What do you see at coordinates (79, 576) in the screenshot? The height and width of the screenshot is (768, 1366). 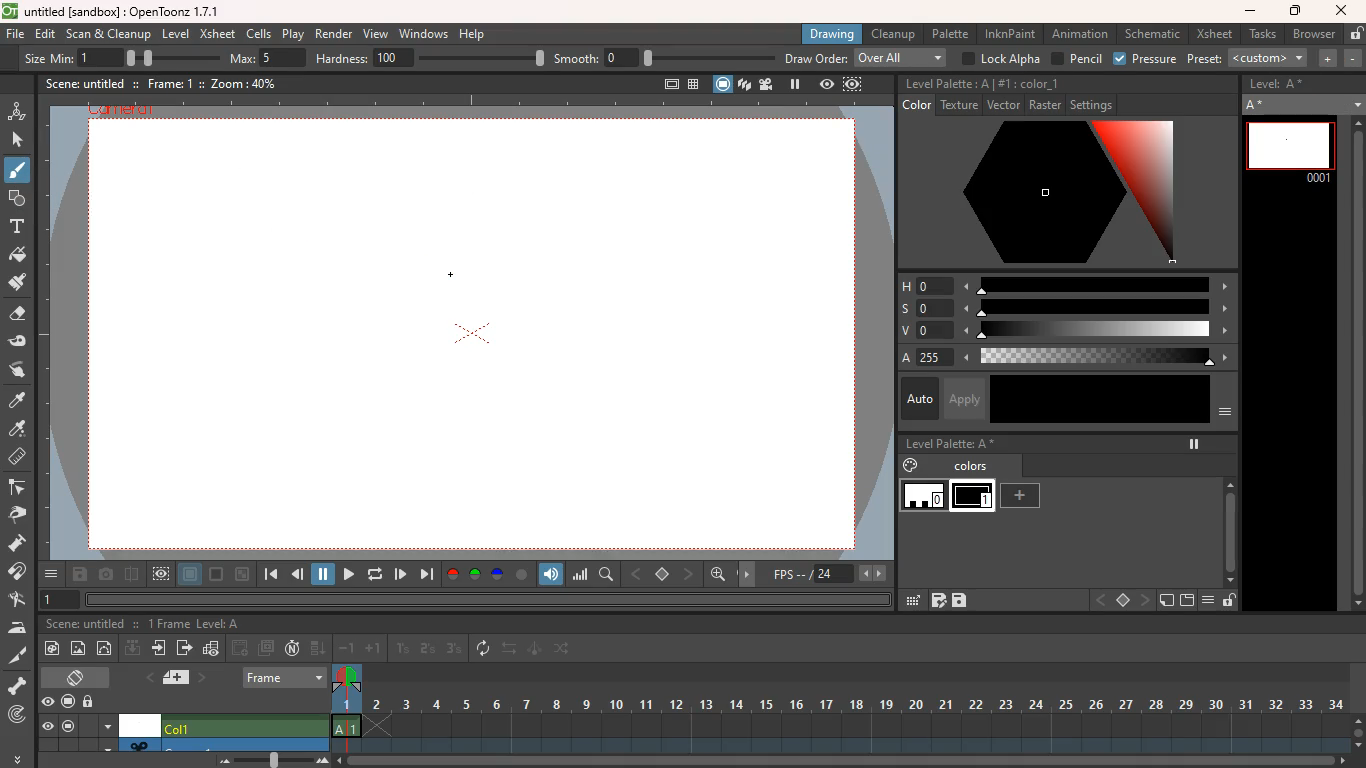 I see `save` at bounding box center [79, 576].